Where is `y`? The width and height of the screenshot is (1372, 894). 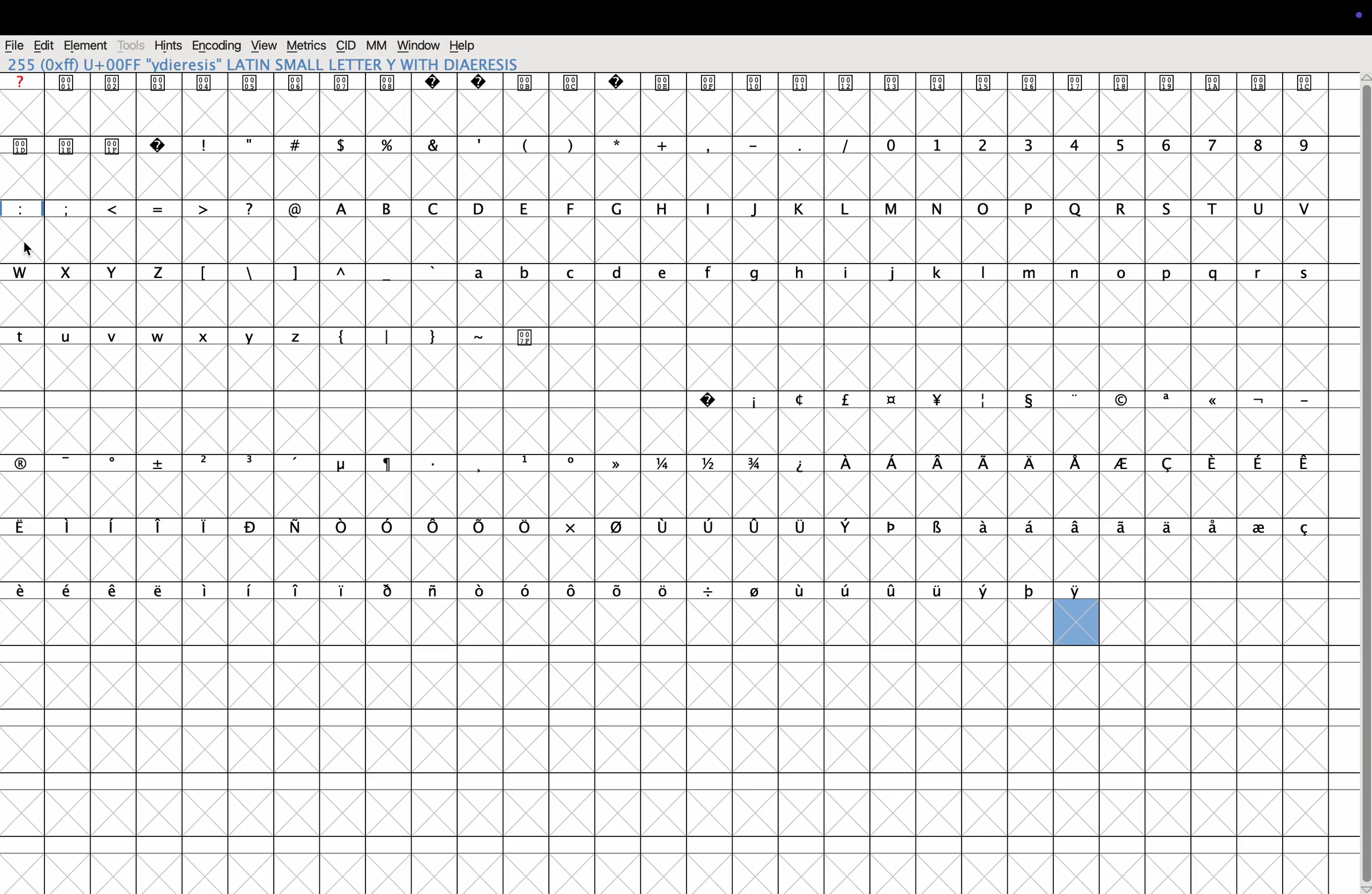
y is located at coordinates (251, 355).